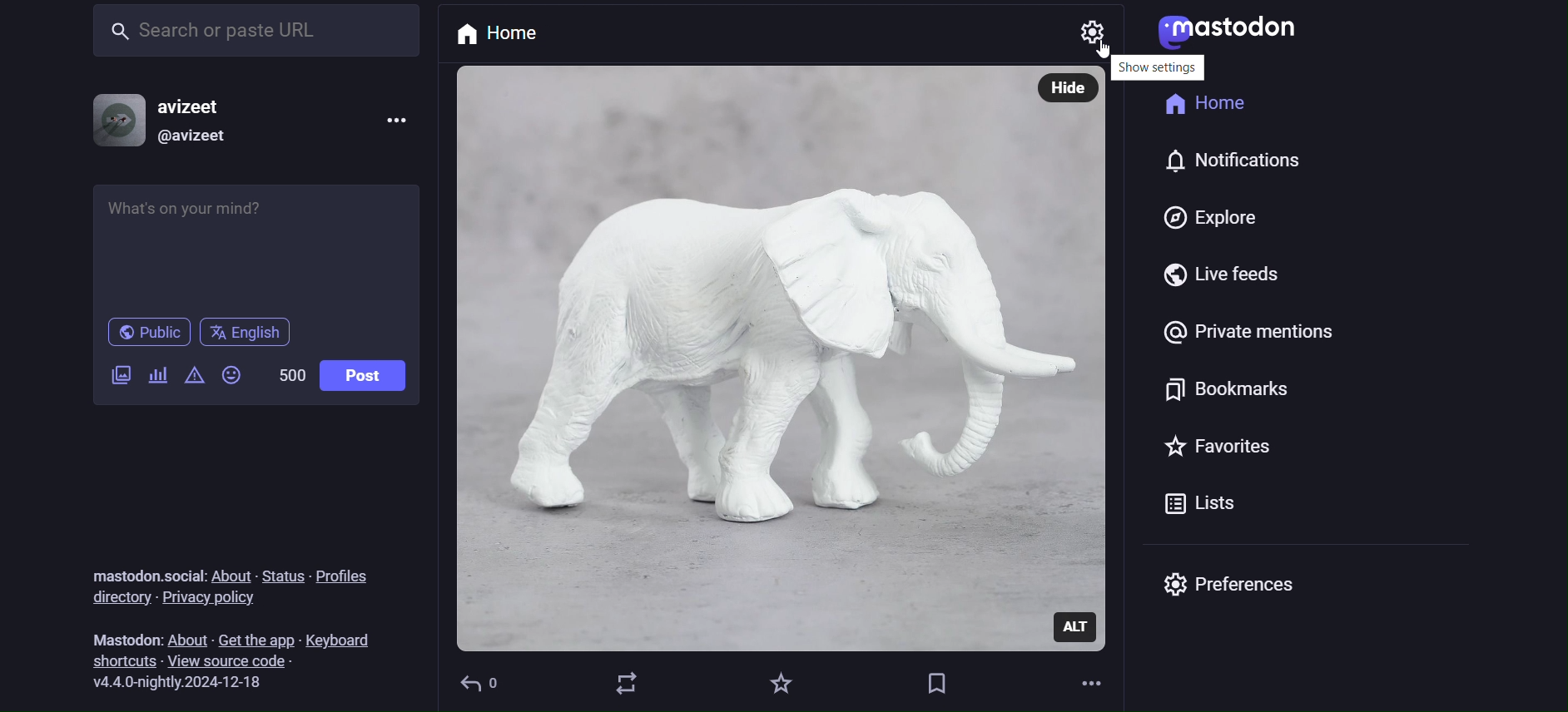 Image resolution: width=1568 pixels, height=712 pixels. I want to click on word limit, so click(289, 372).